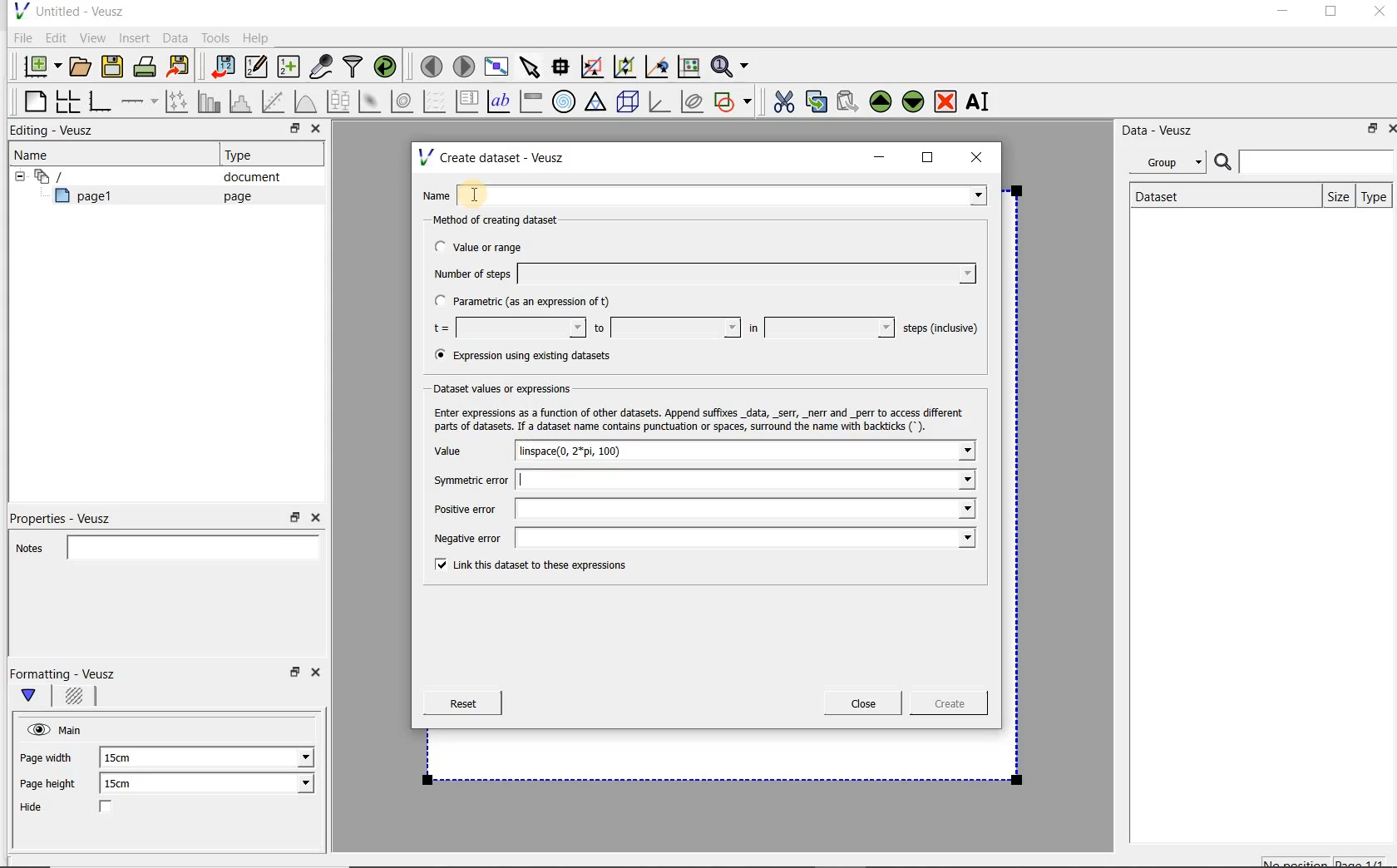 The height and width of the screenshot is (868, 1397). Describe the element at coordinates (495, 65) in the screenshot. I see `view plot full screen` at that location.